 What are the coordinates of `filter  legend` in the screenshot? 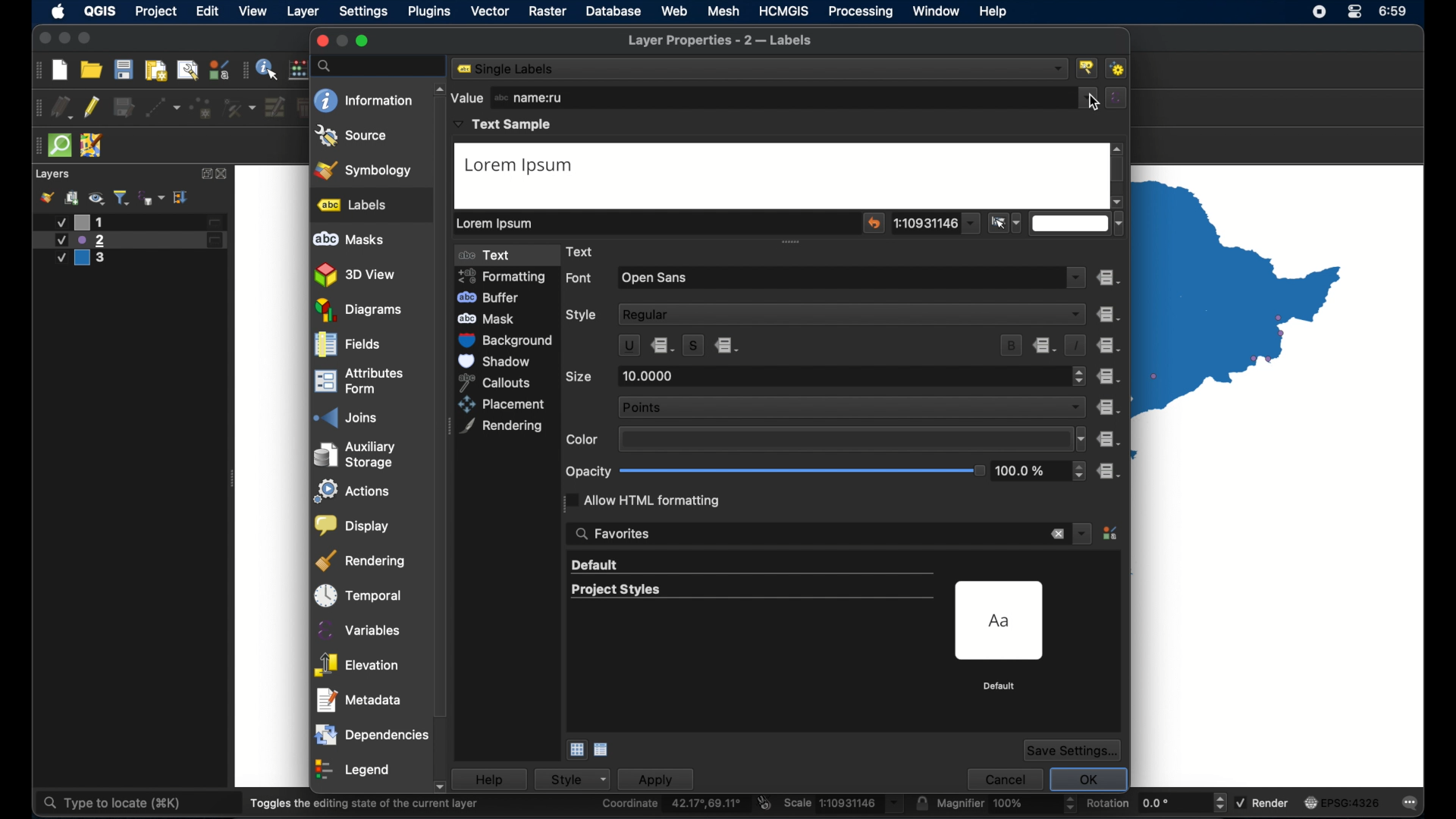 It's located at (122, 197).